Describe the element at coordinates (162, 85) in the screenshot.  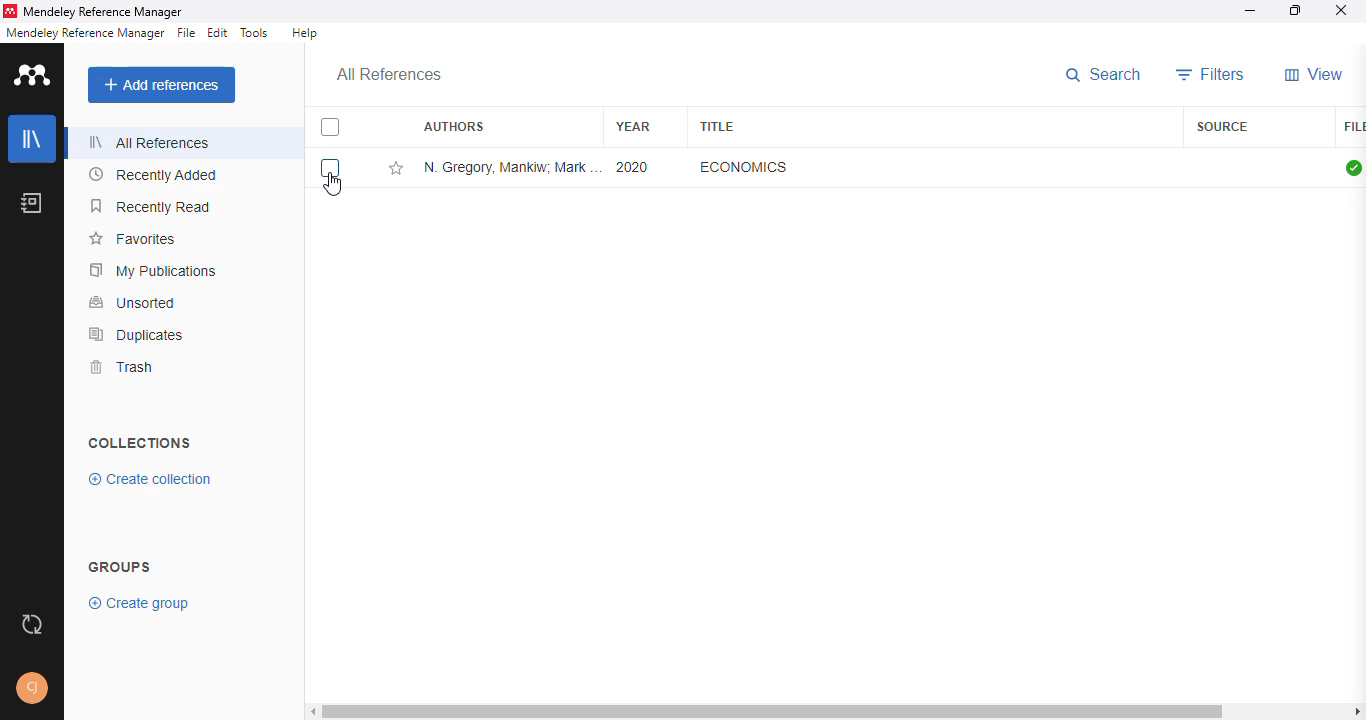
I see `add references` at that location.